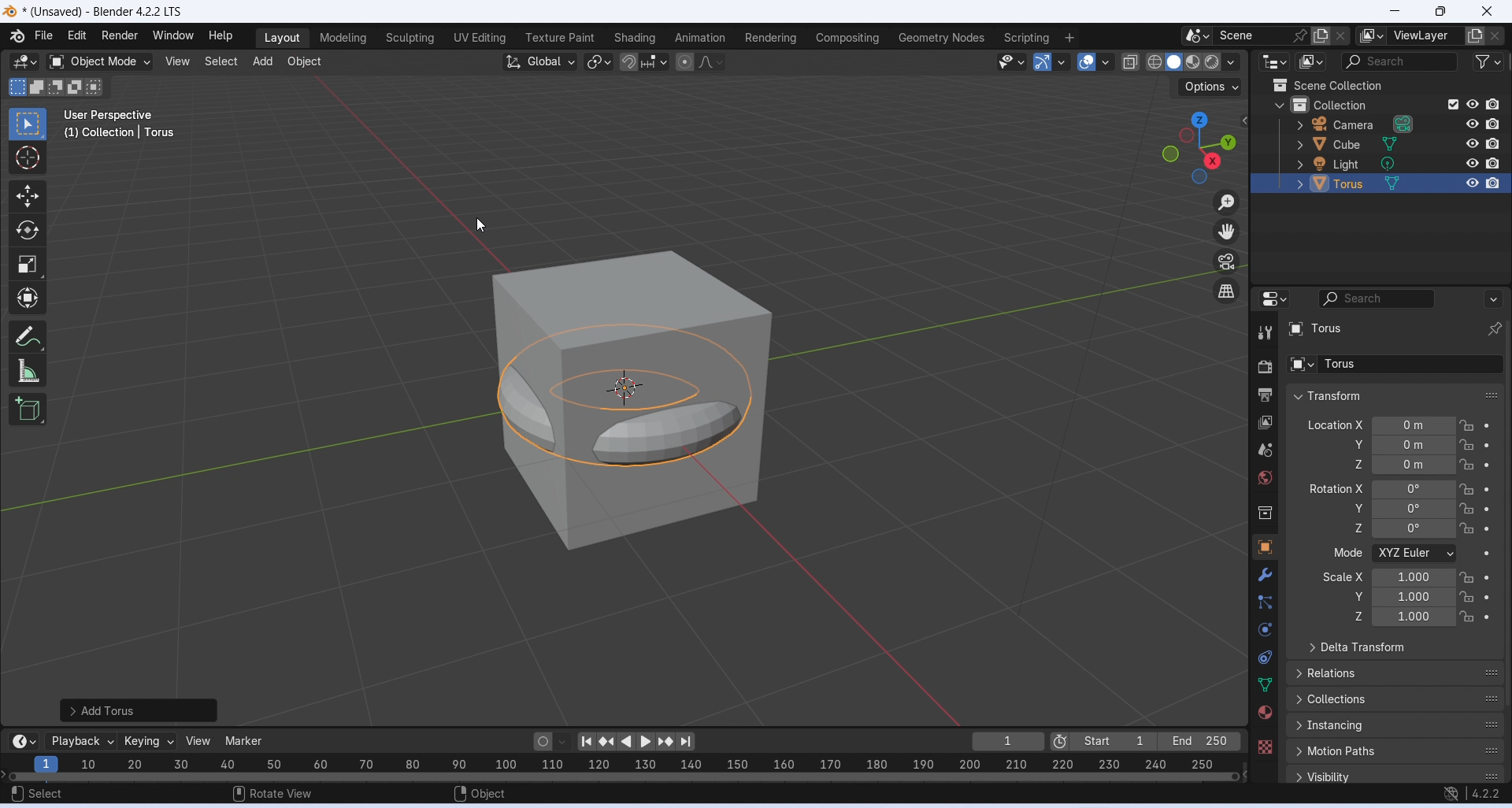 The width and height of the screenshot is (1512, 808). I want to click on user perspective, so click(114, 116).